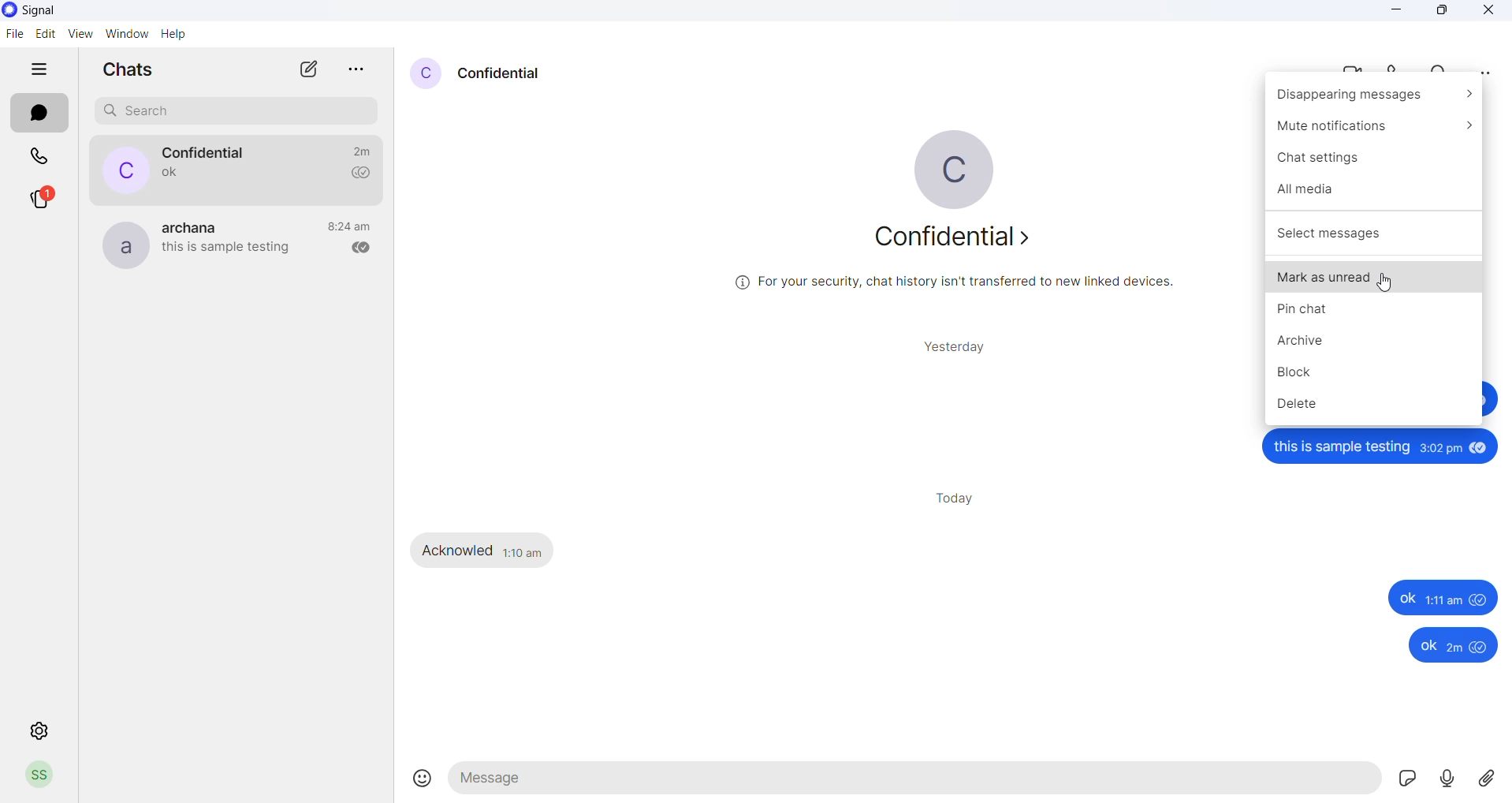 The height and width of the screenshot is (803, 1512). What do you see at coordinates (355, 174) in the screenshot?
I see `read recipient ` at bounding box center [355, 174].